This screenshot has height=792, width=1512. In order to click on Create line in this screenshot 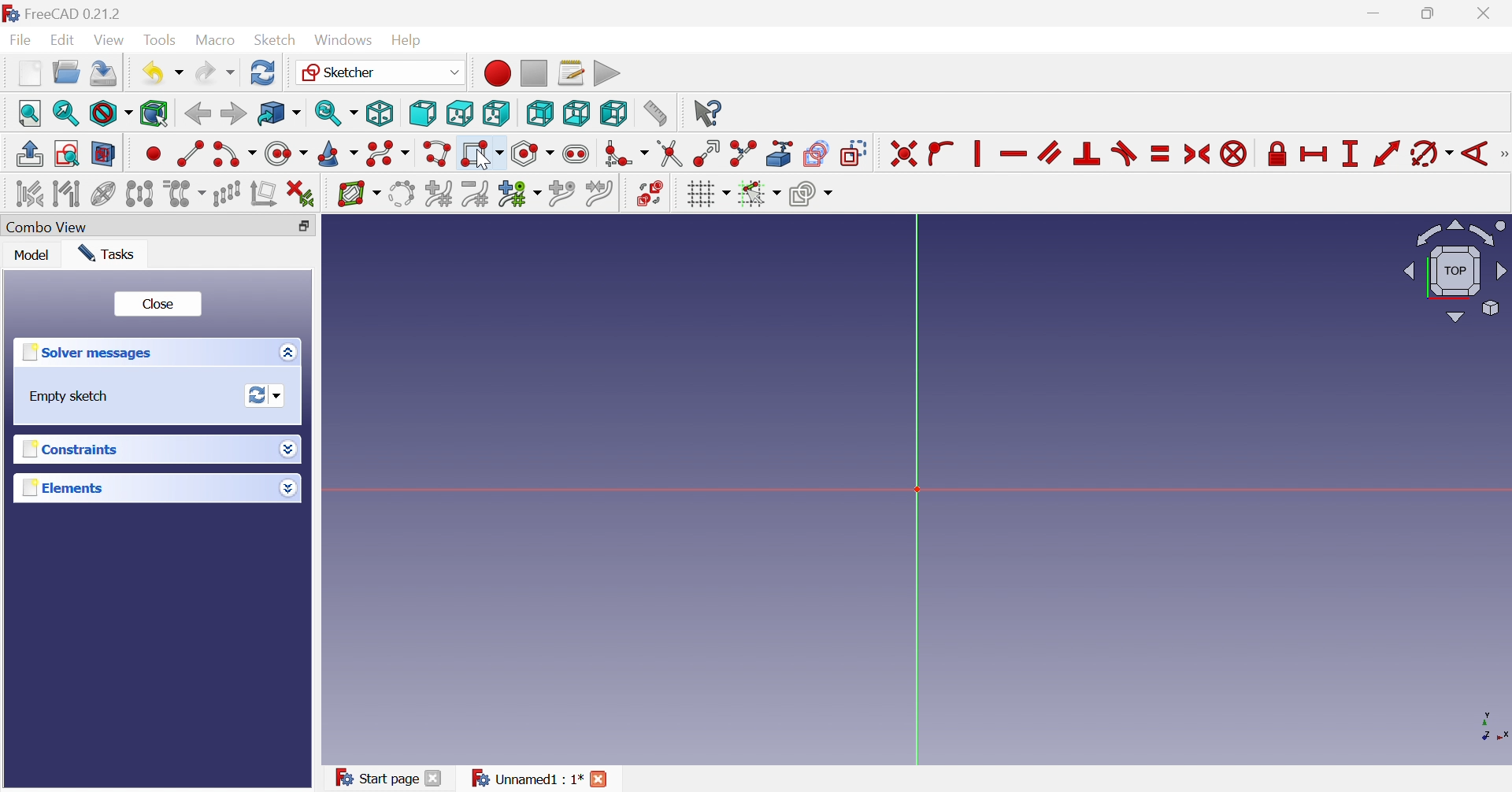, I will do `click(190, 152)`.